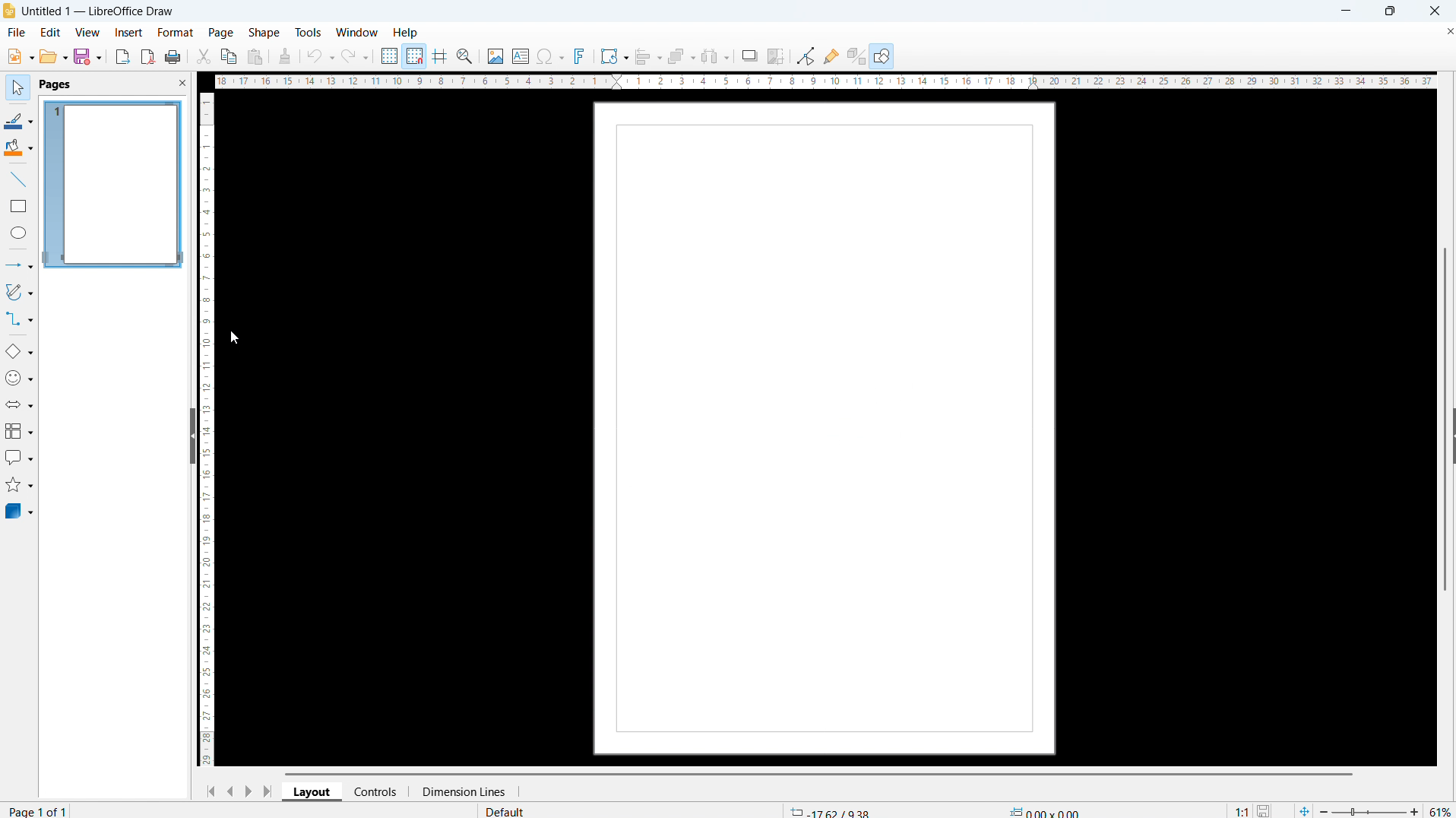  I want to click on object dimension, so click(1046, 810).